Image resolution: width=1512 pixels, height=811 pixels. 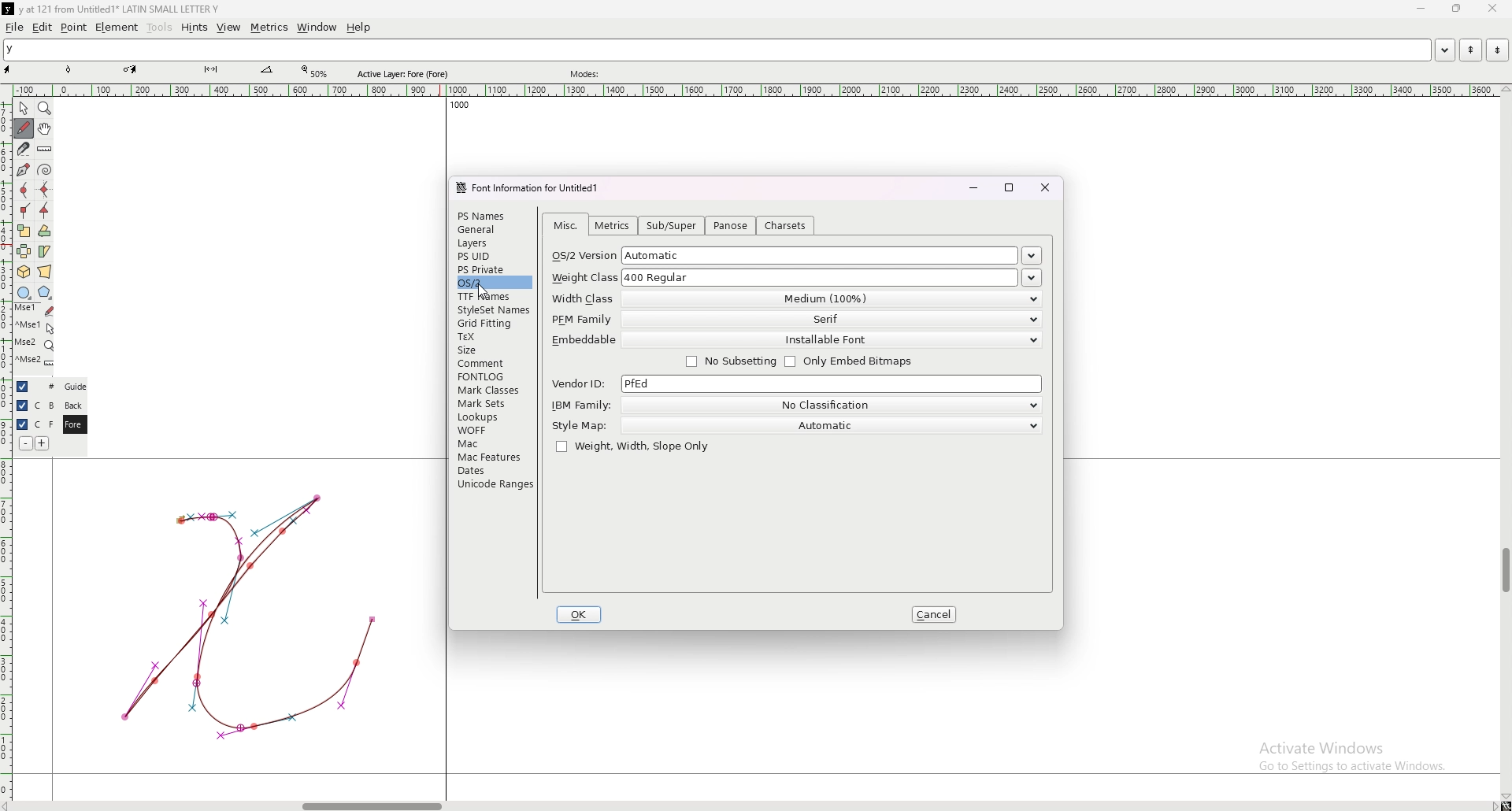 What do you see at coordinates (587, 74) in the screenshot?
I see `modes` at bounding box center [587, 74].